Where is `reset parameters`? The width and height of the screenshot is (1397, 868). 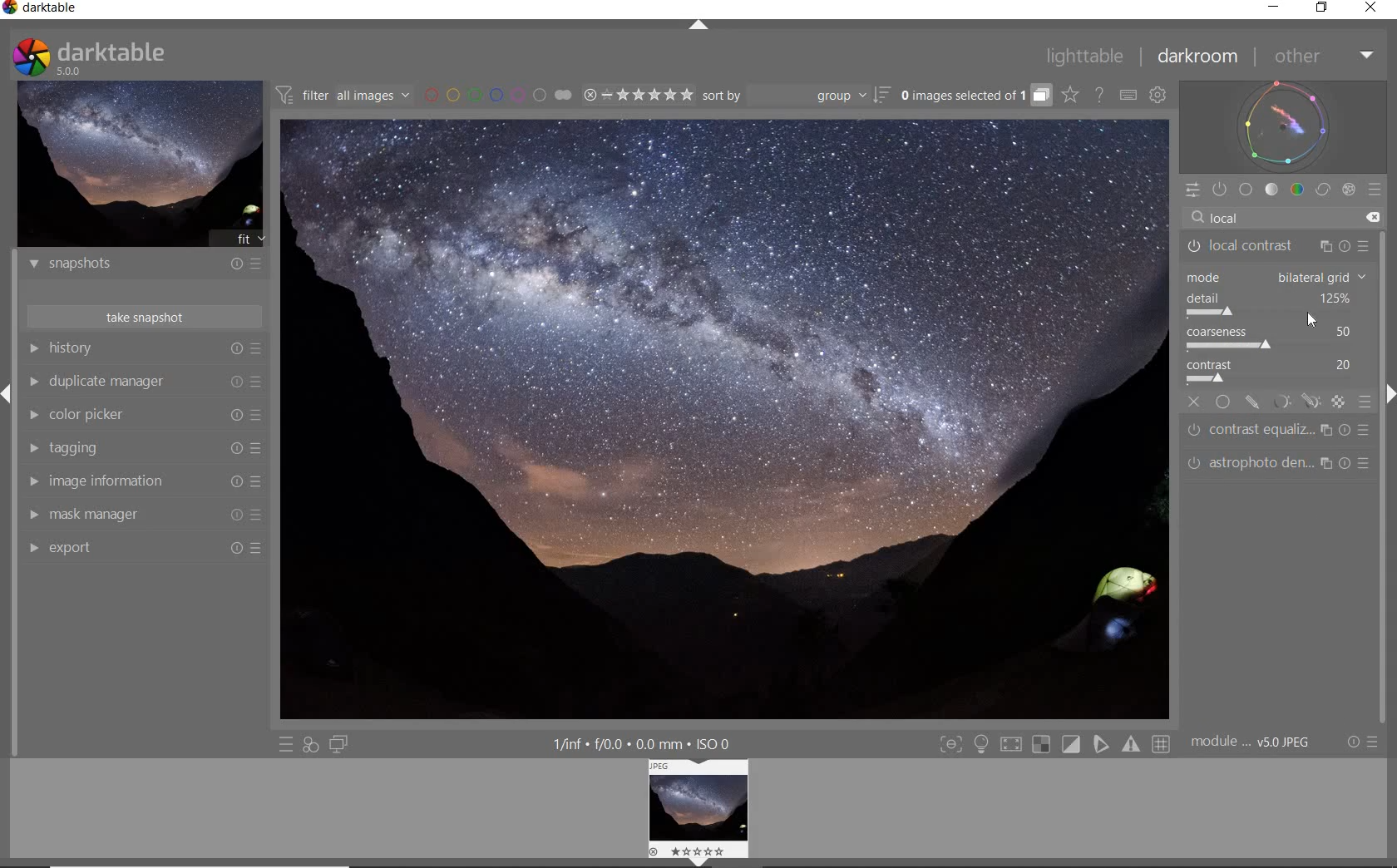 reset parameters is located at coordinates (1369, 429).